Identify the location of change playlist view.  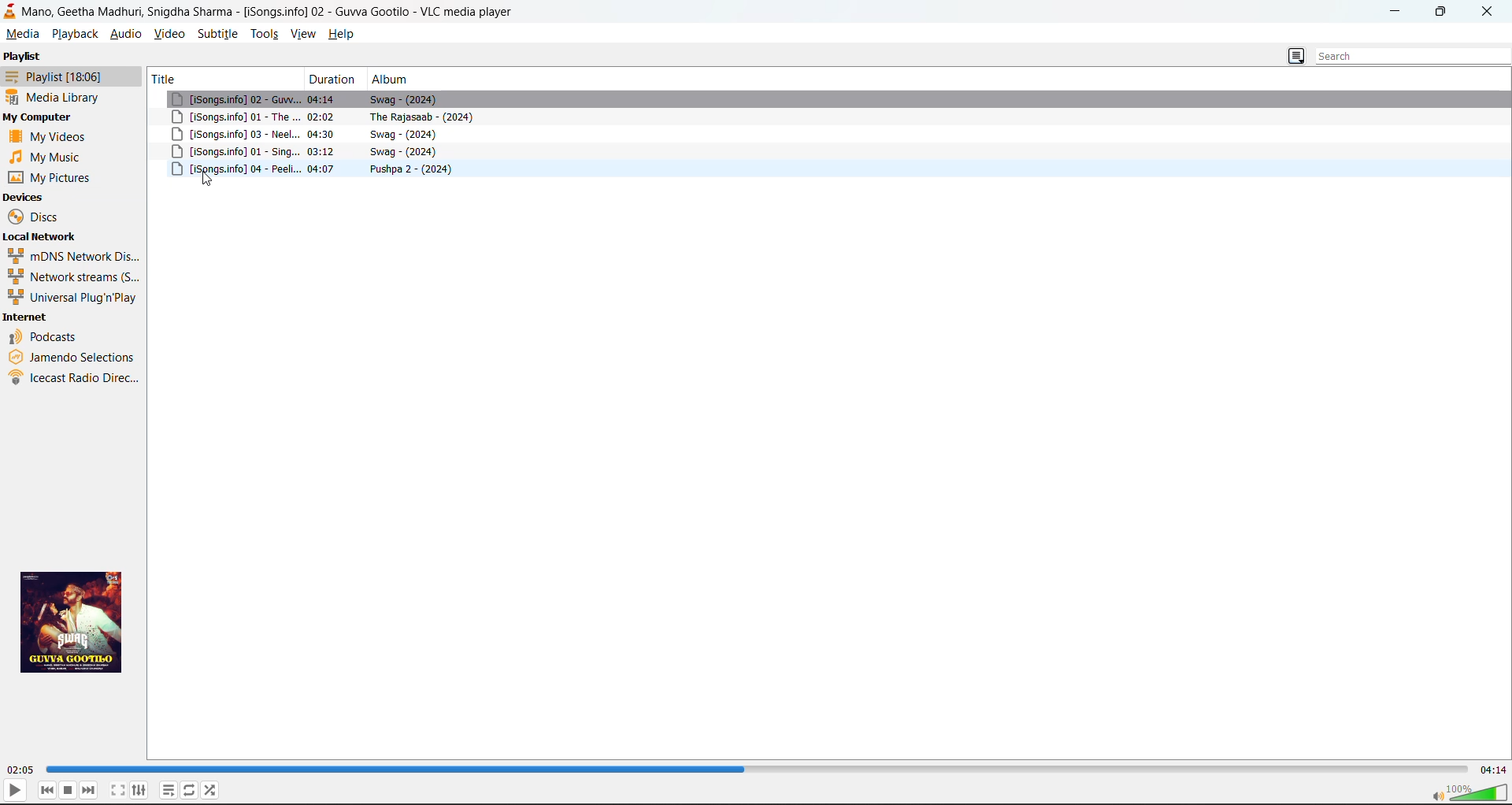
(1295, 57).